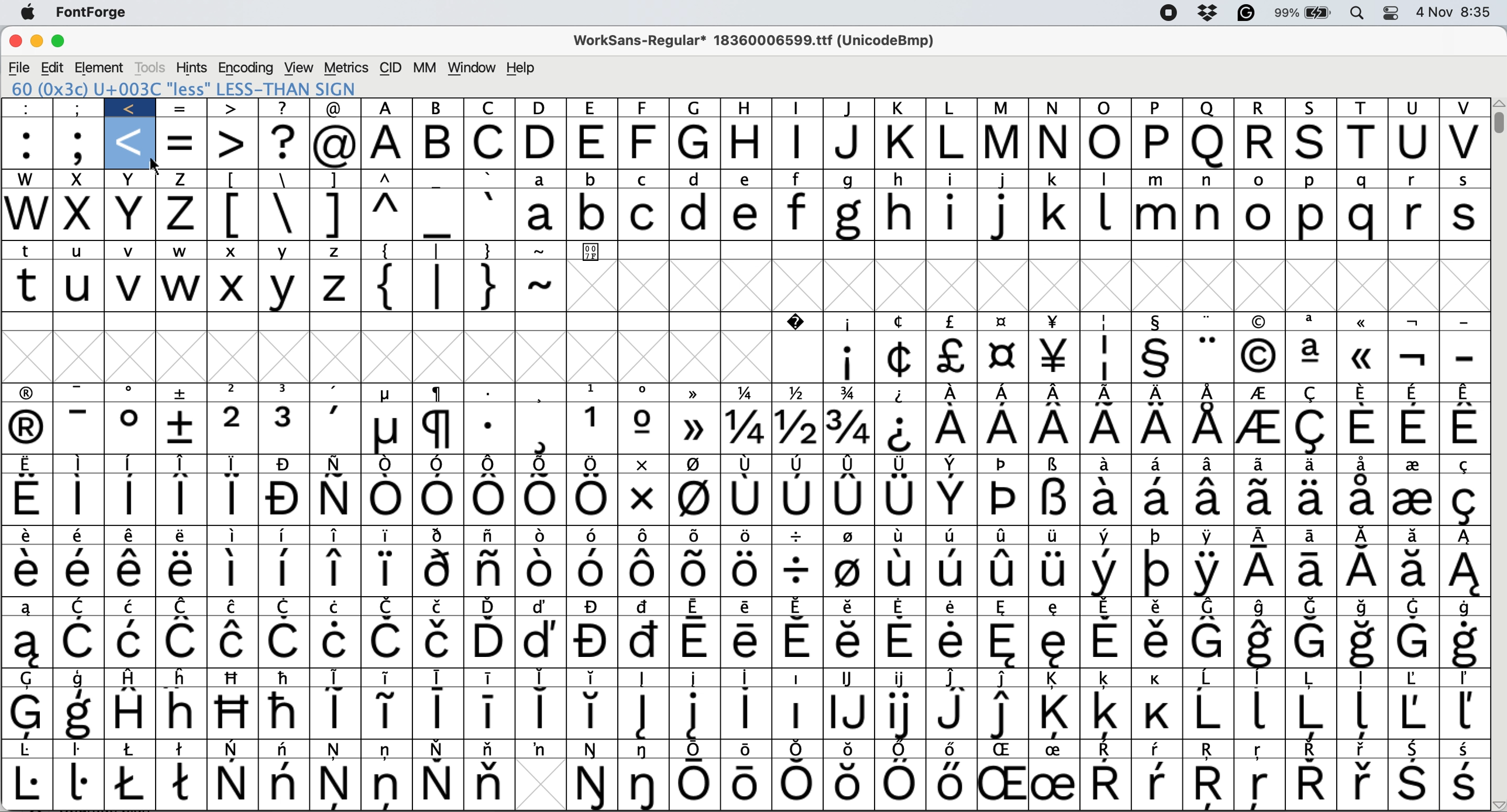  Describe the element at coordinates (592, 786) in the screenshot. I see `Symbol` at that location.